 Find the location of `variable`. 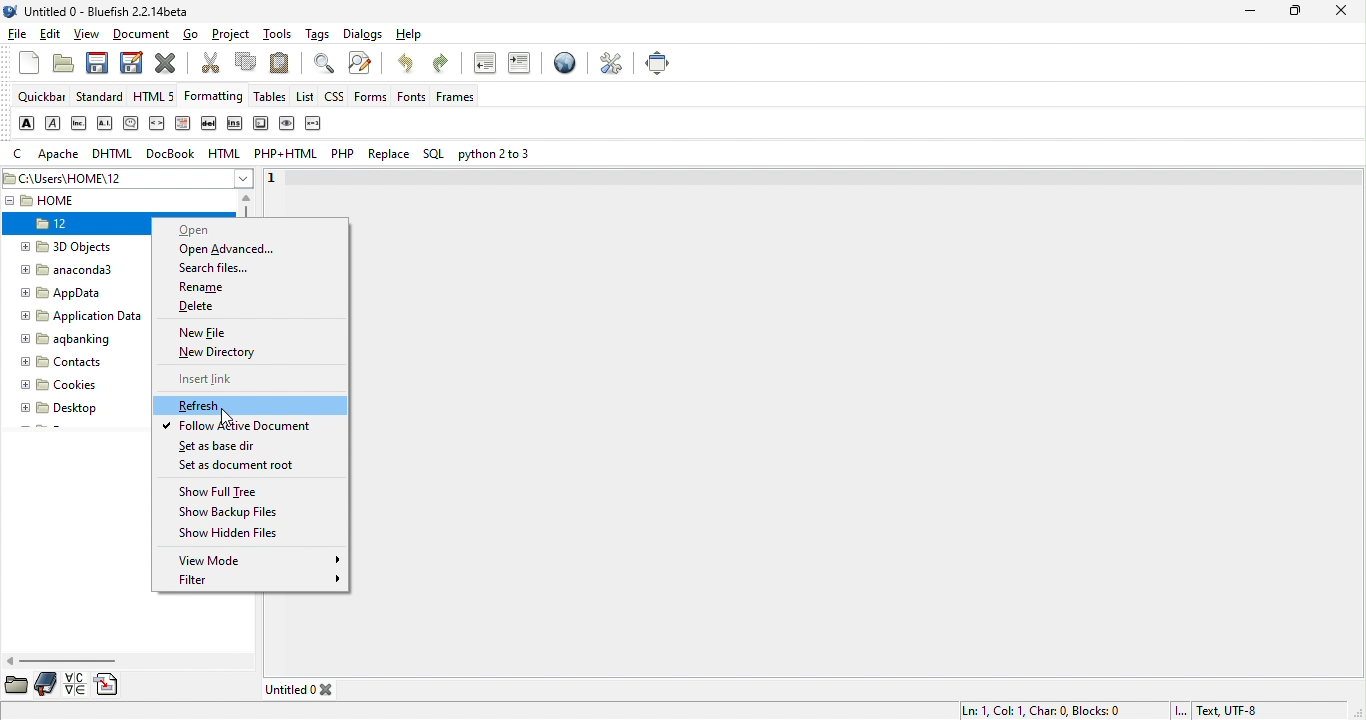

variable is located at coordinates (313, 123).